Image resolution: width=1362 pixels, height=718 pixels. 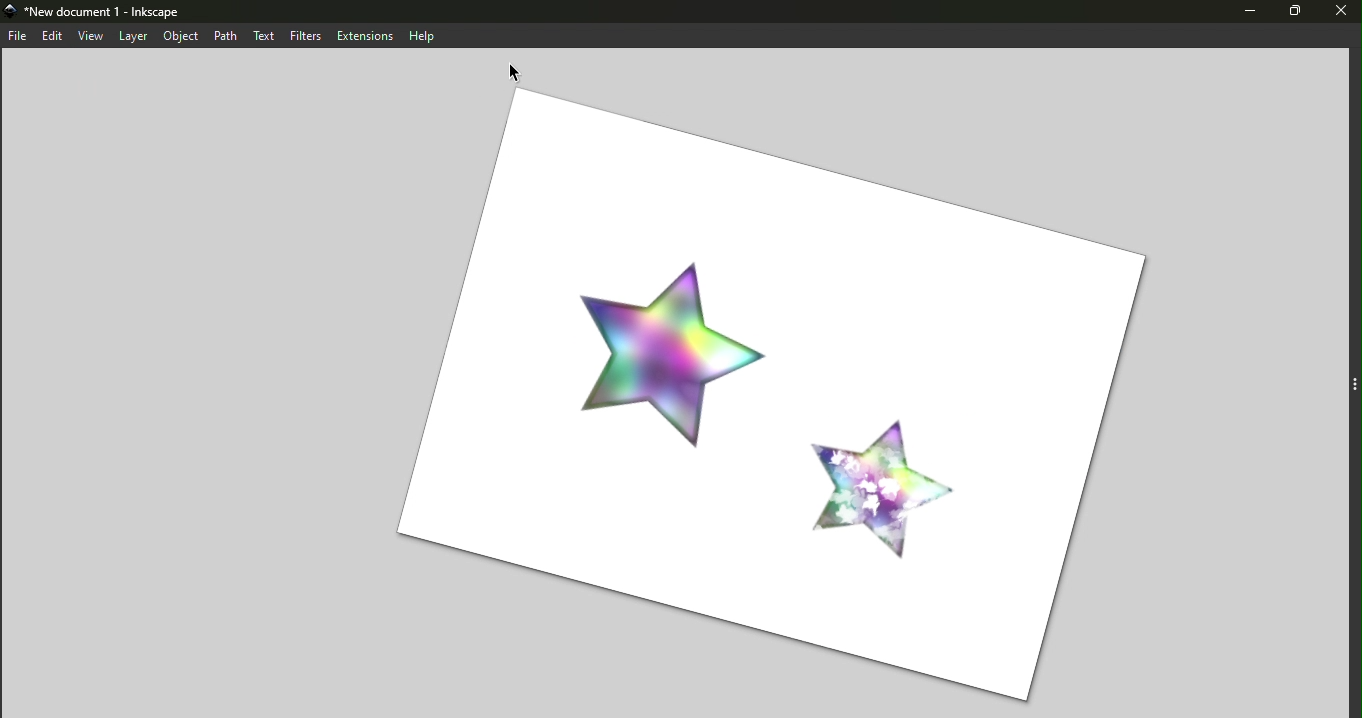 I want to click on Text, so click(x=264, y=35).